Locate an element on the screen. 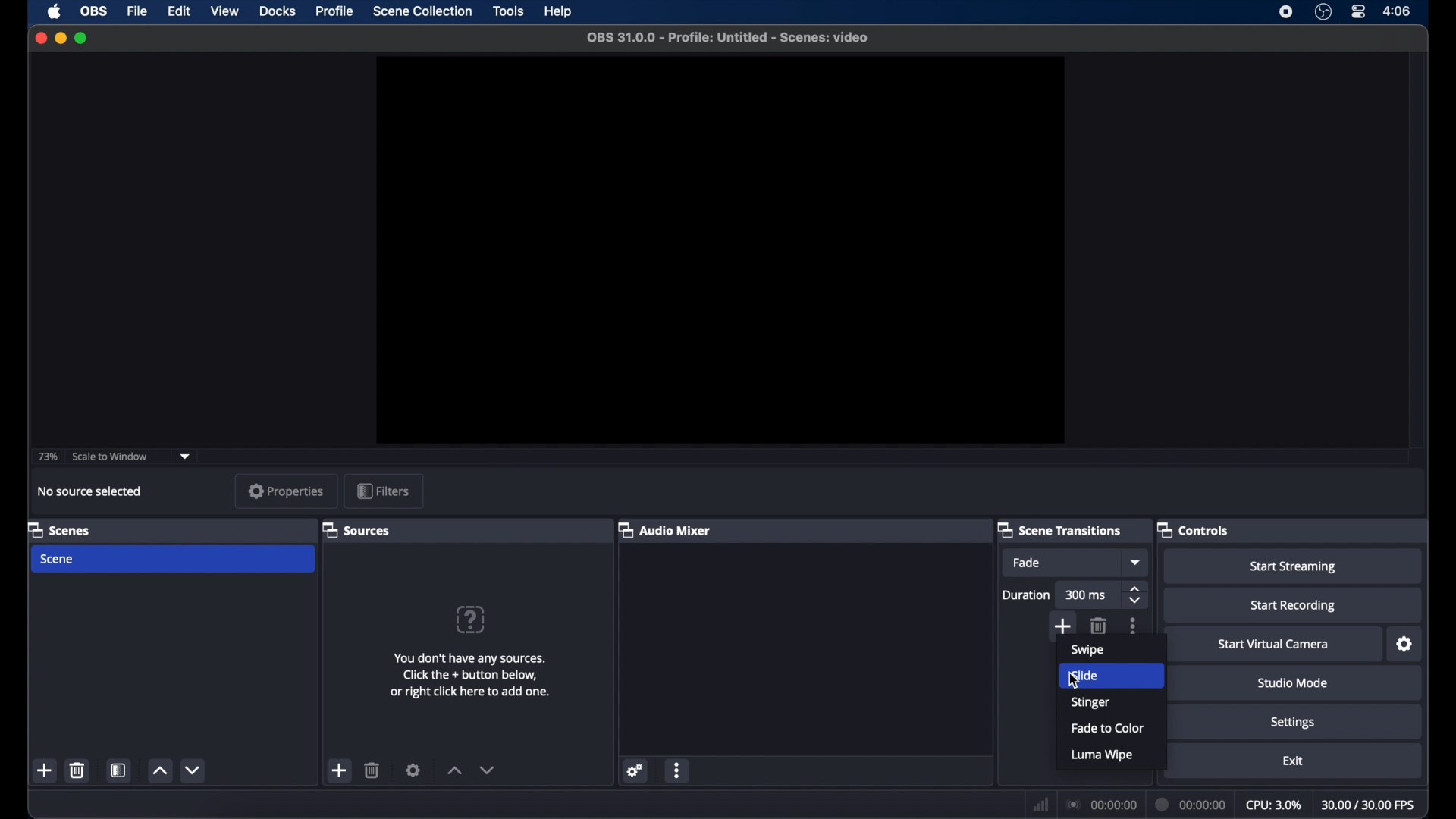  time is located at coordinates (1398, 11).